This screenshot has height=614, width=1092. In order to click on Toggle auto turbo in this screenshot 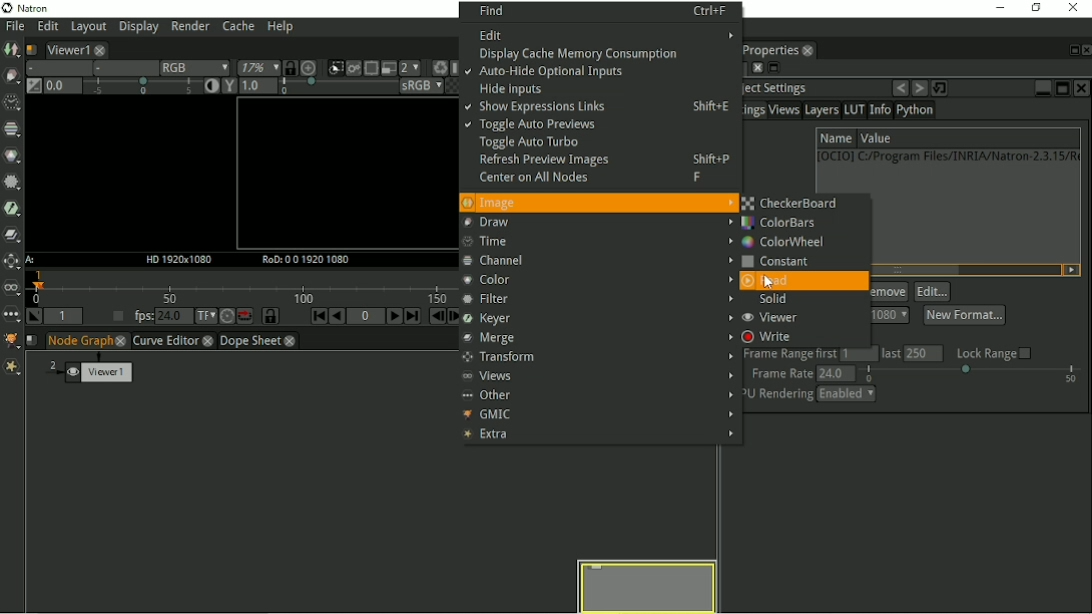, I will do `click(527, 143)`.